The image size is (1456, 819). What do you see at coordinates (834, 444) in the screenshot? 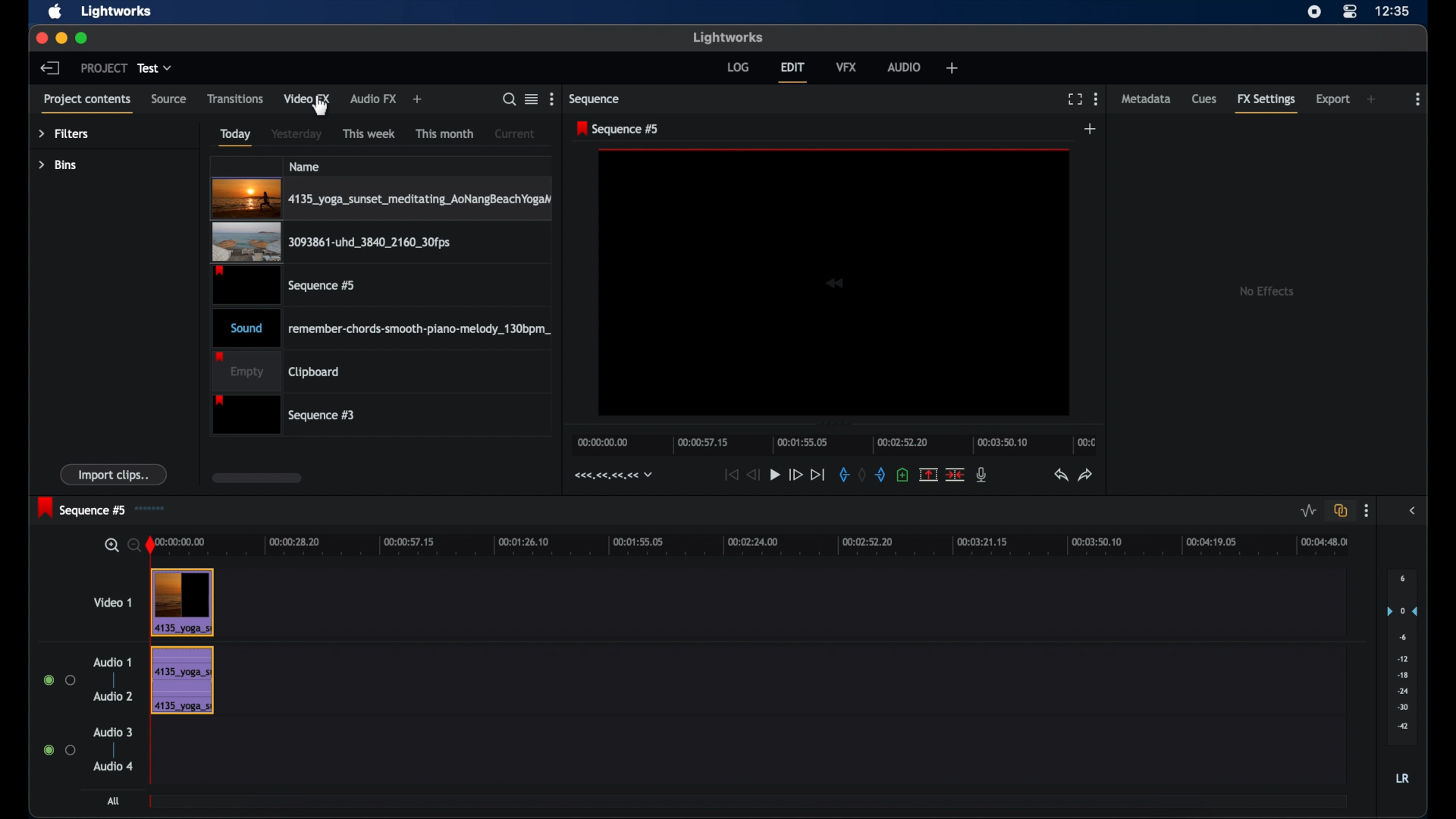
I see `timeline scale` at bounding box center [834, 444].